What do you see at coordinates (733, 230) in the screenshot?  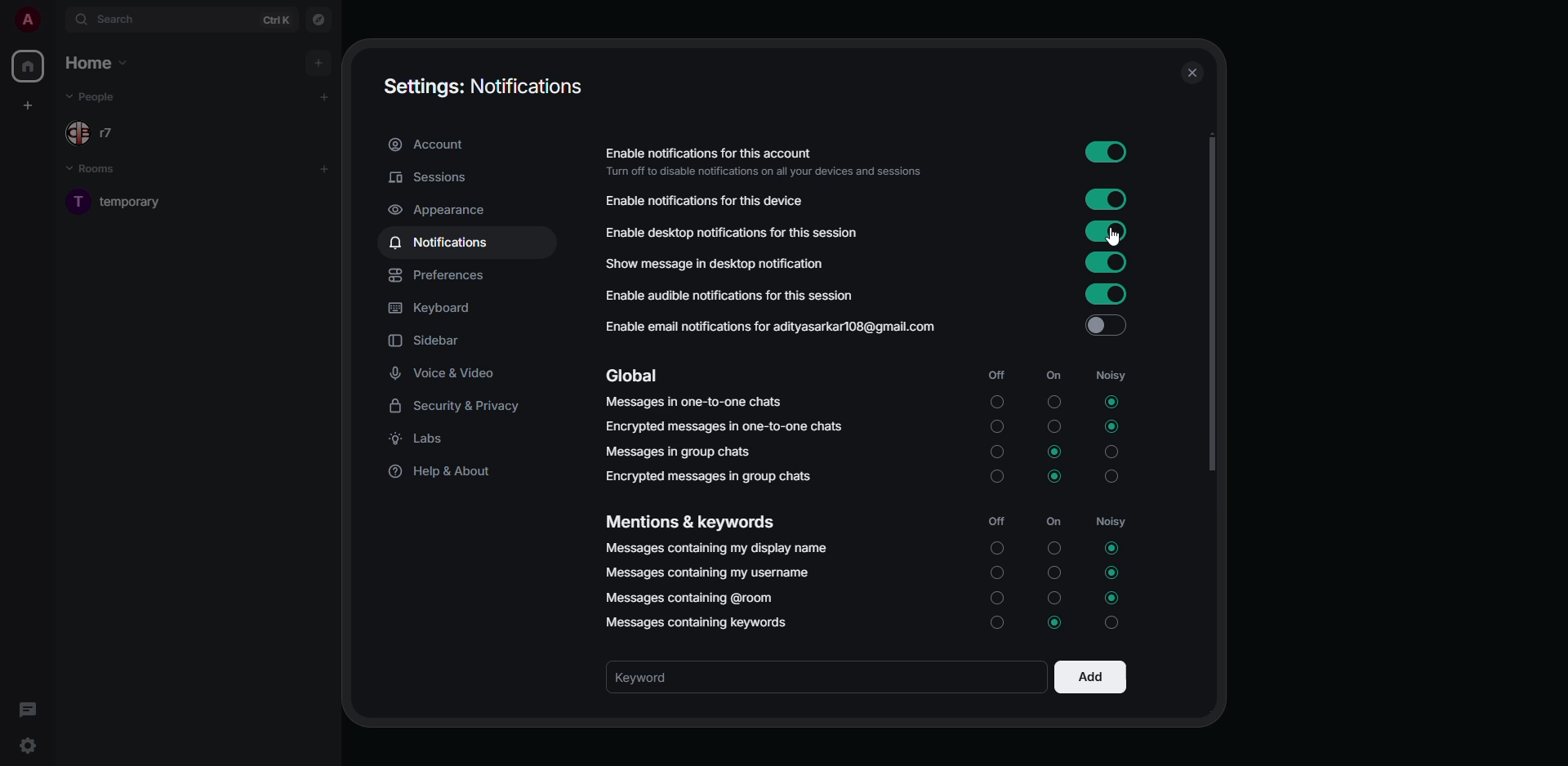 I see `enable desktop notifications for this session` at bounding box center [733, 230].